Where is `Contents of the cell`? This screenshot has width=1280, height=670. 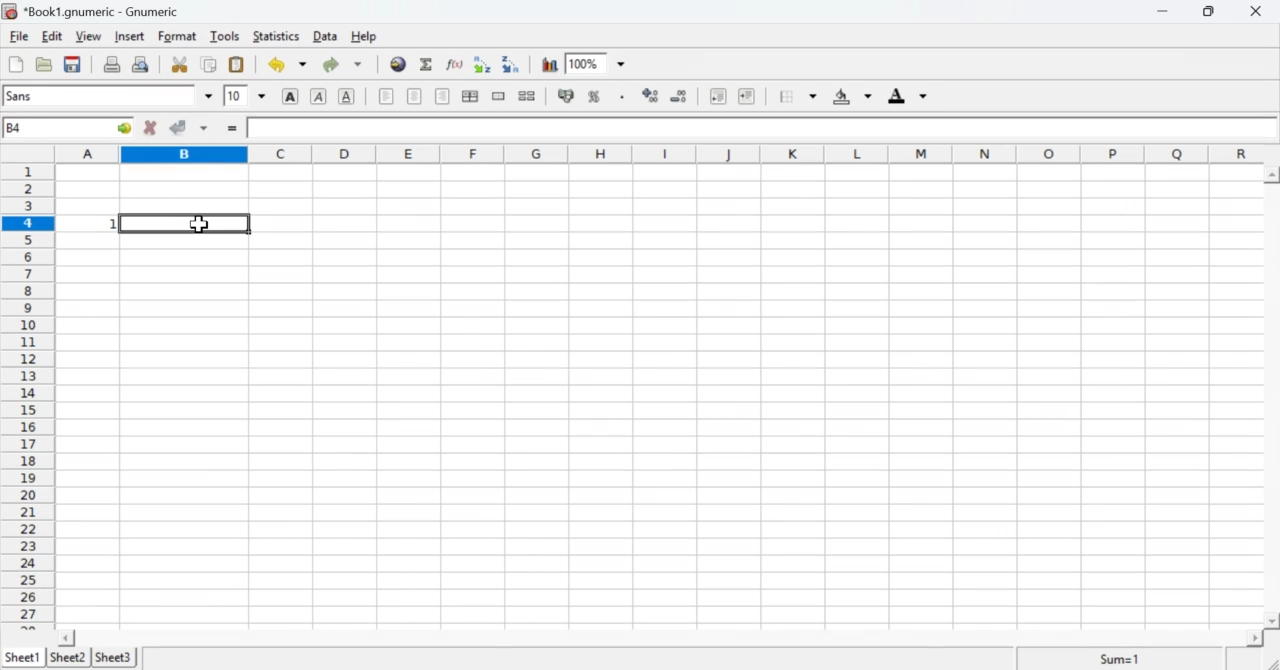 Contents of the cell is located at coordinates (755, 129).